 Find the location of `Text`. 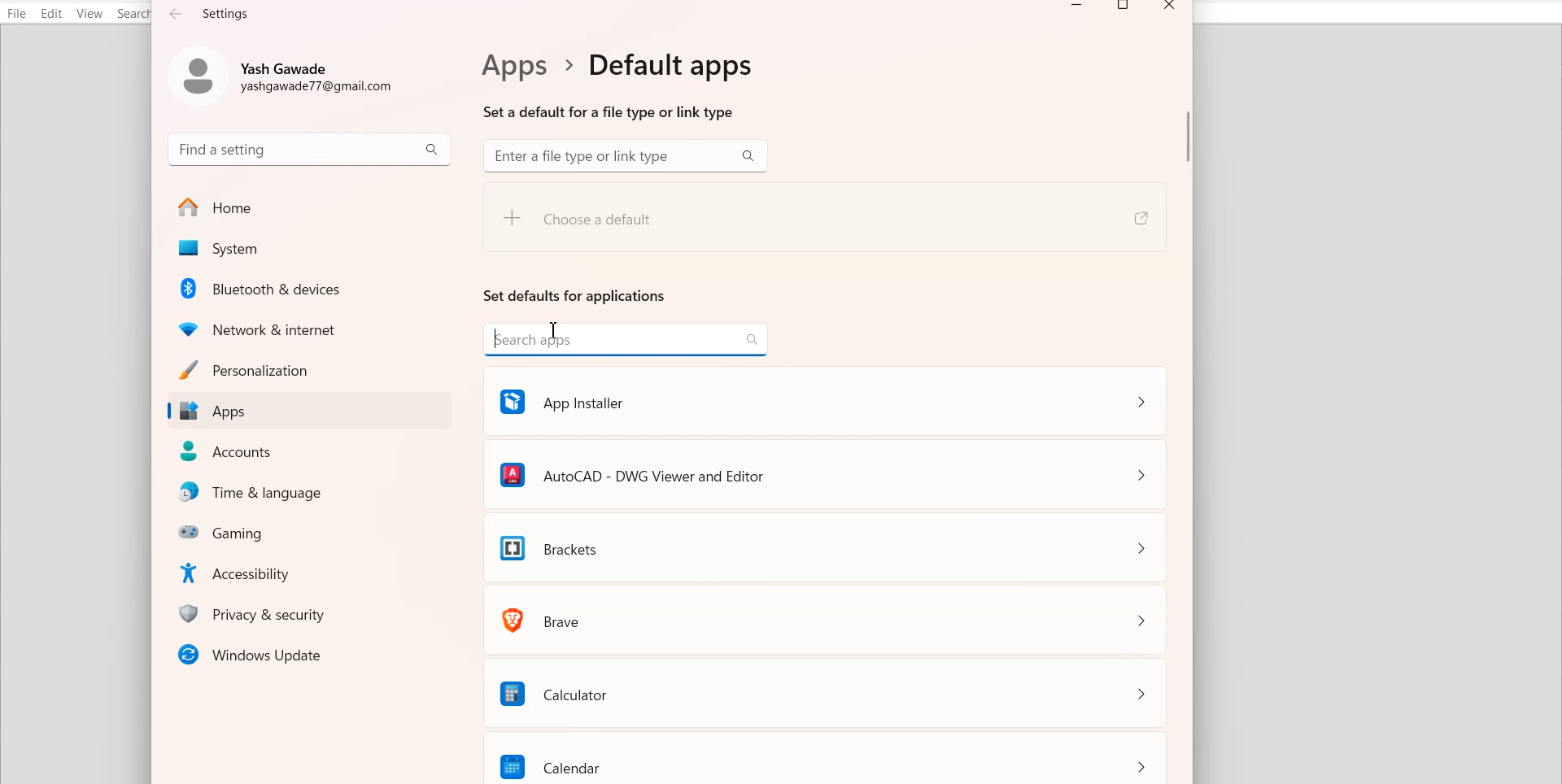

Text is located at coordinates (575, 295).